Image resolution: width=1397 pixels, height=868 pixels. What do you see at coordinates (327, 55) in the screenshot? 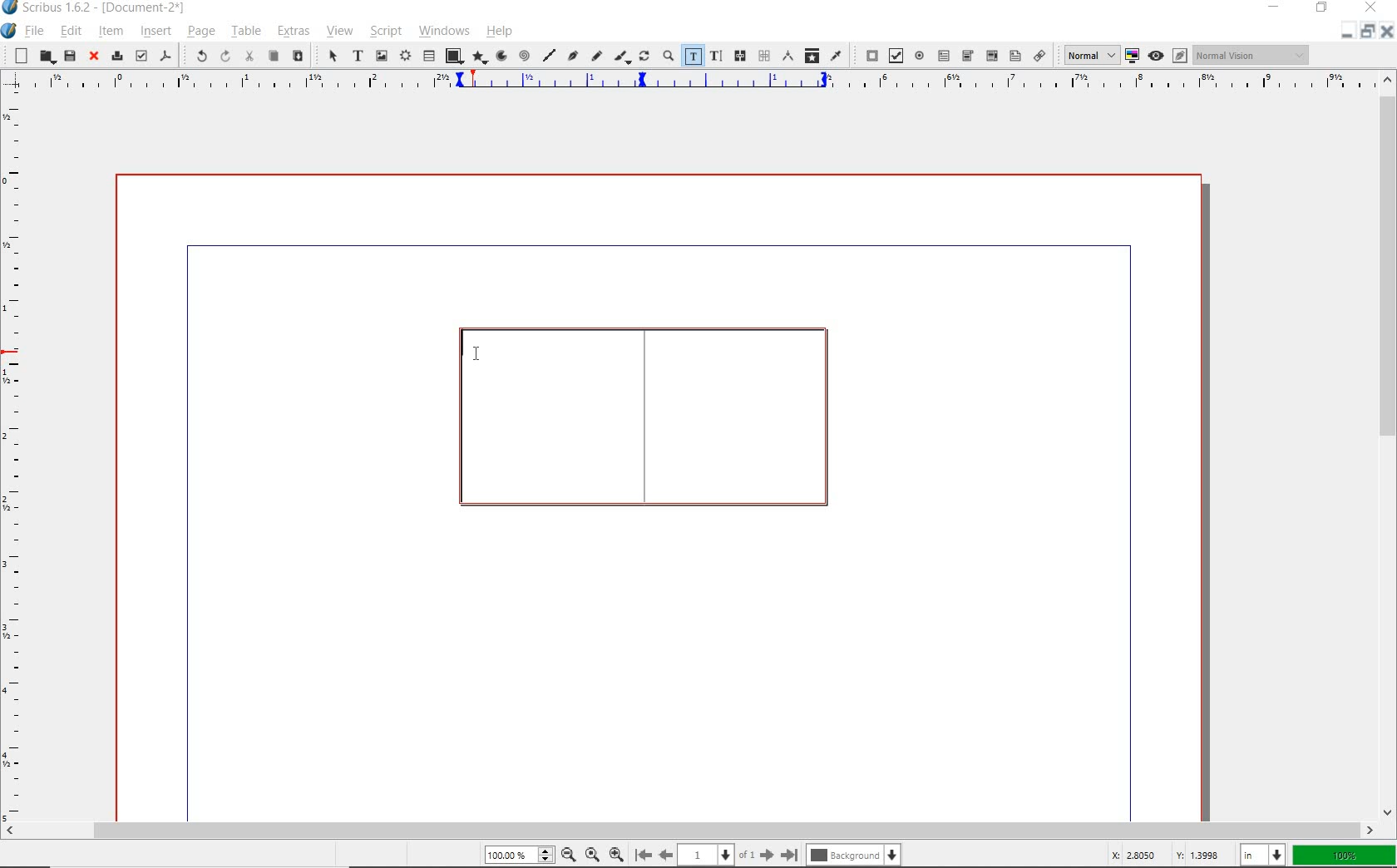
I see `select item` at bounding box center [327, 55].